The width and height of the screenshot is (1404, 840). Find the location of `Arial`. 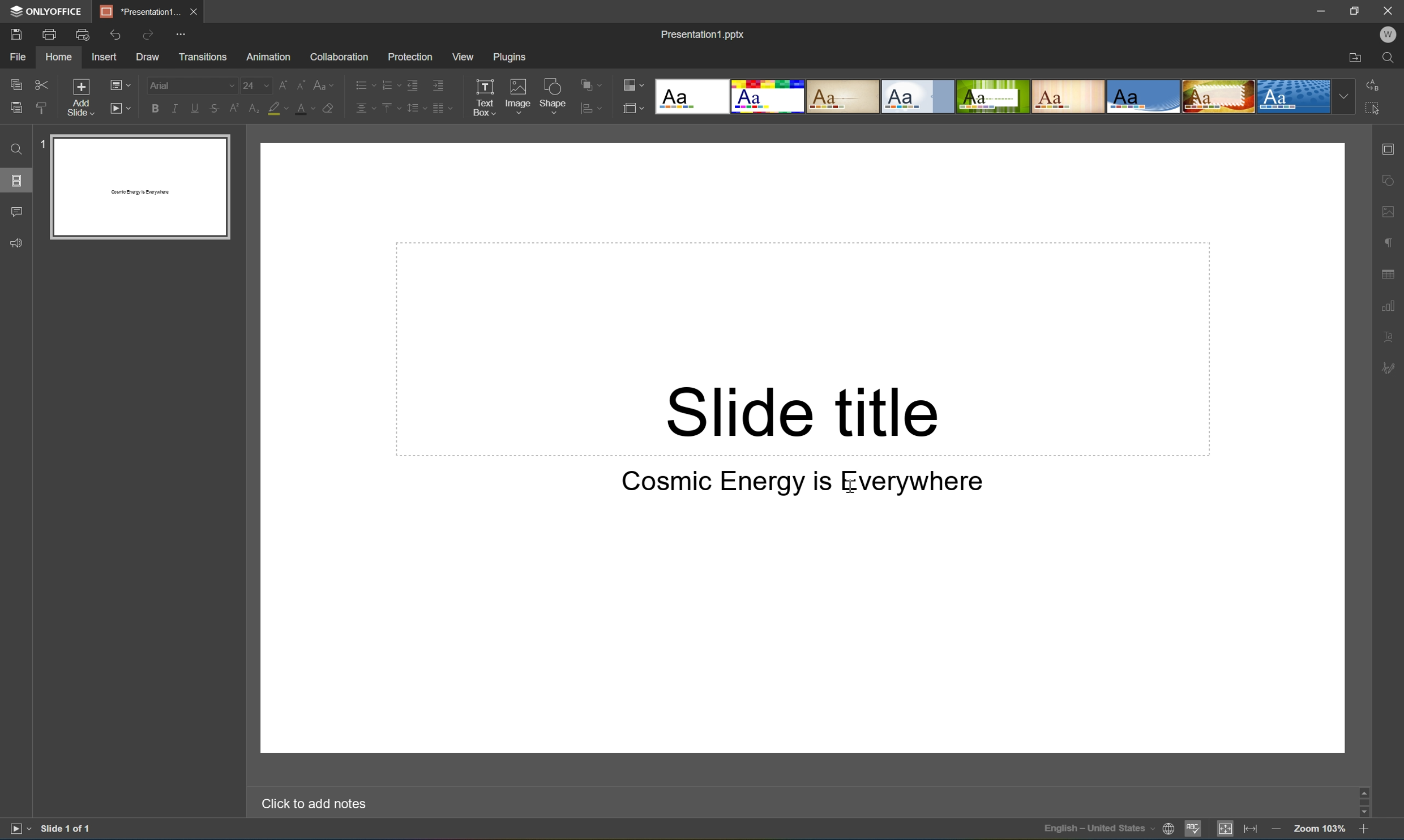

Arial is located at coordinates (164, 87).